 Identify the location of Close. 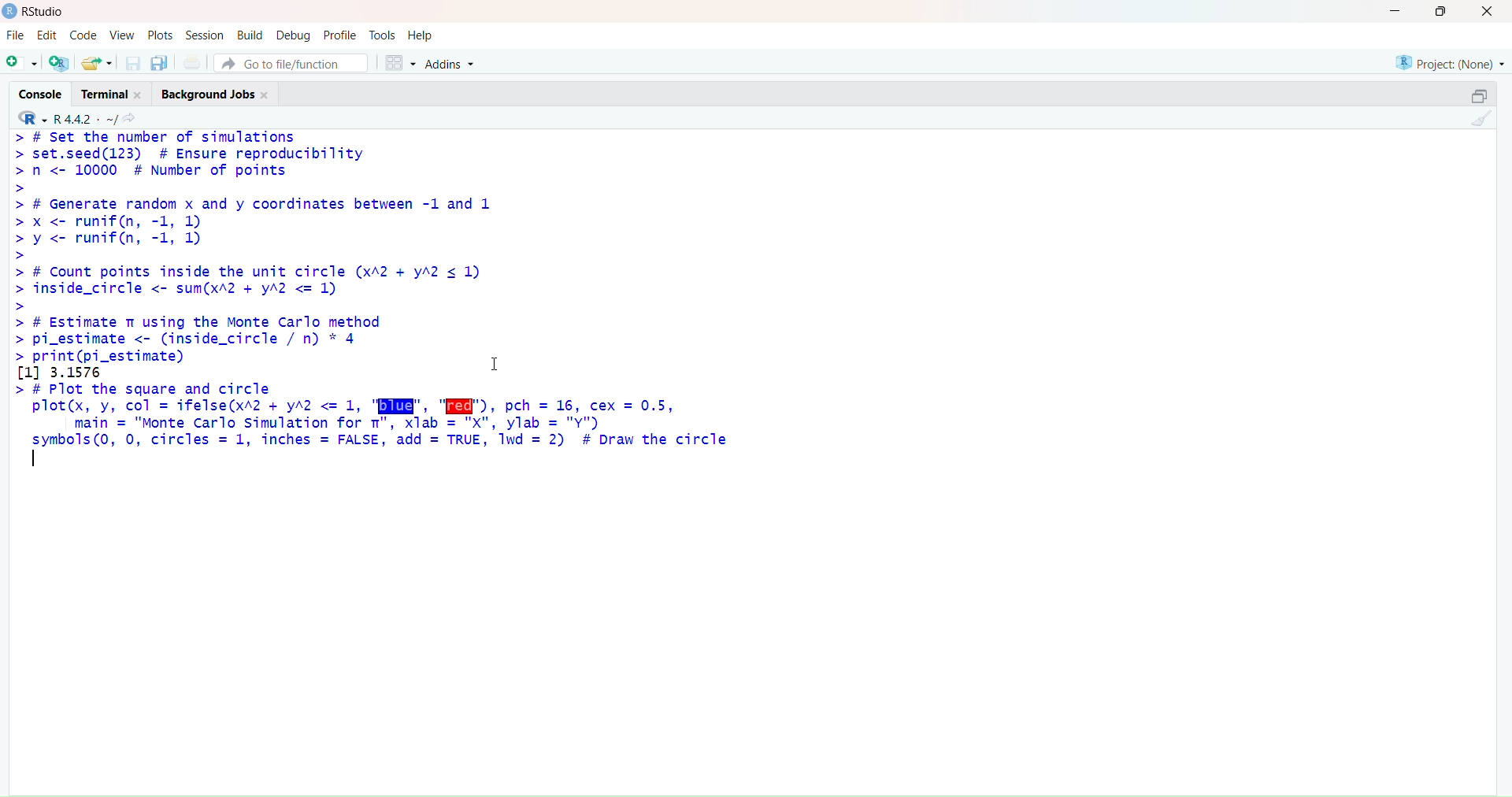
(1487, 12).